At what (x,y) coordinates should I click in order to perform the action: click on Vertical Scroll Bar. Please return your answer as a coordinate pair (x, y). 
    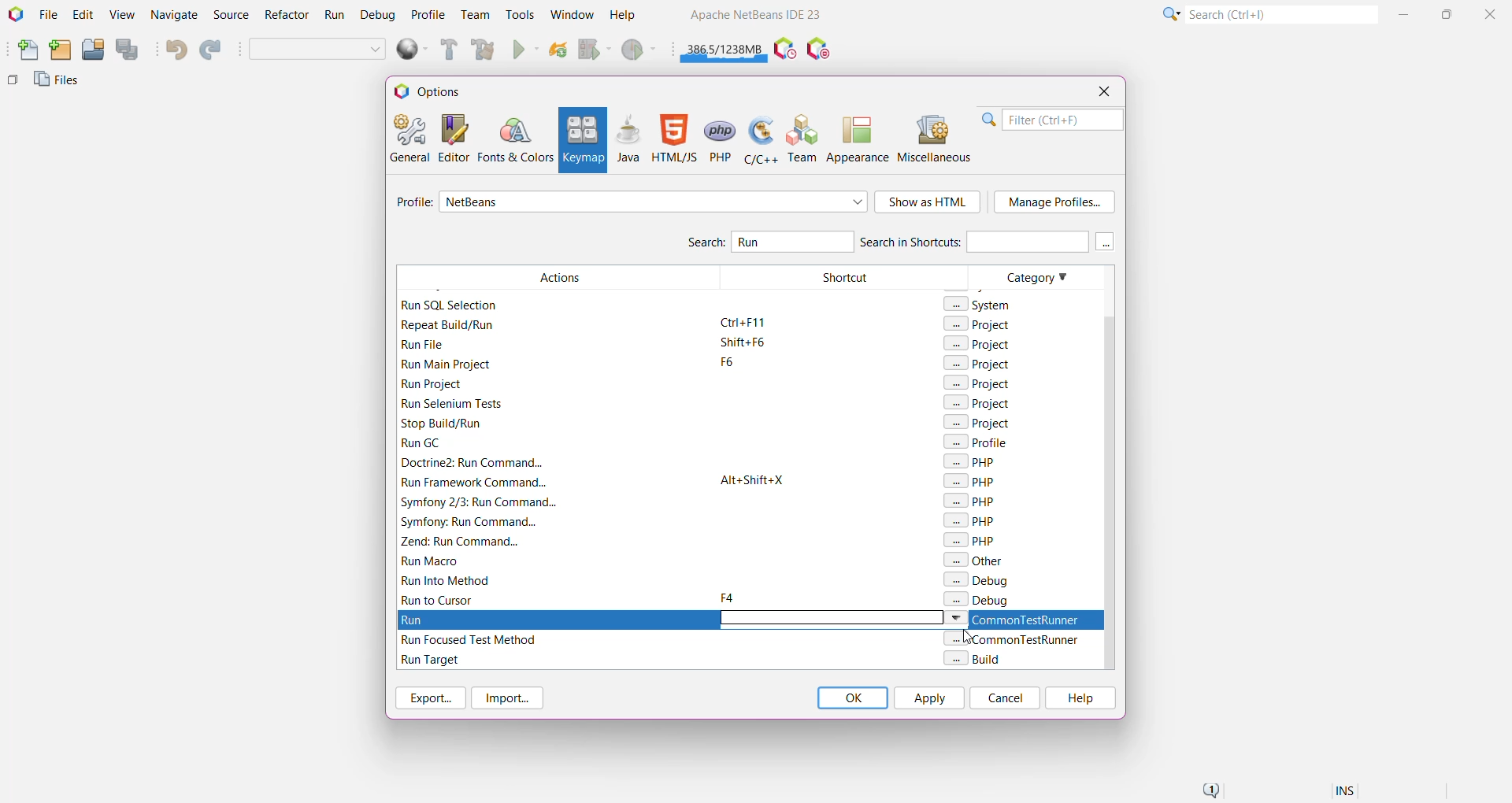
    Looking at the image, I should click on (1106, 467).